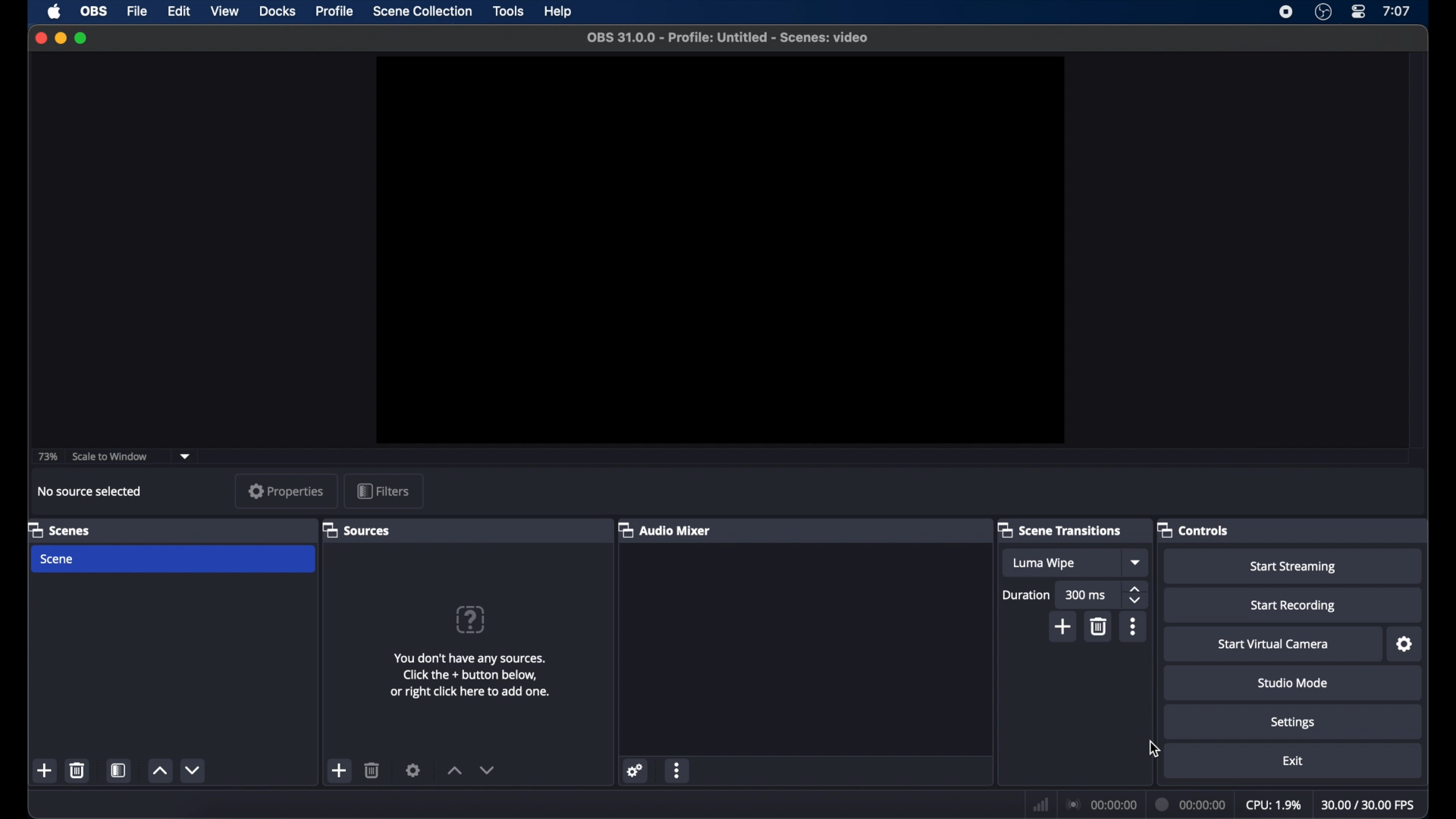 The width and height of the screenshot is (1456, 819). Describe the element at coordinates (1063, 628) in the screenshot. I see `add` at that location.